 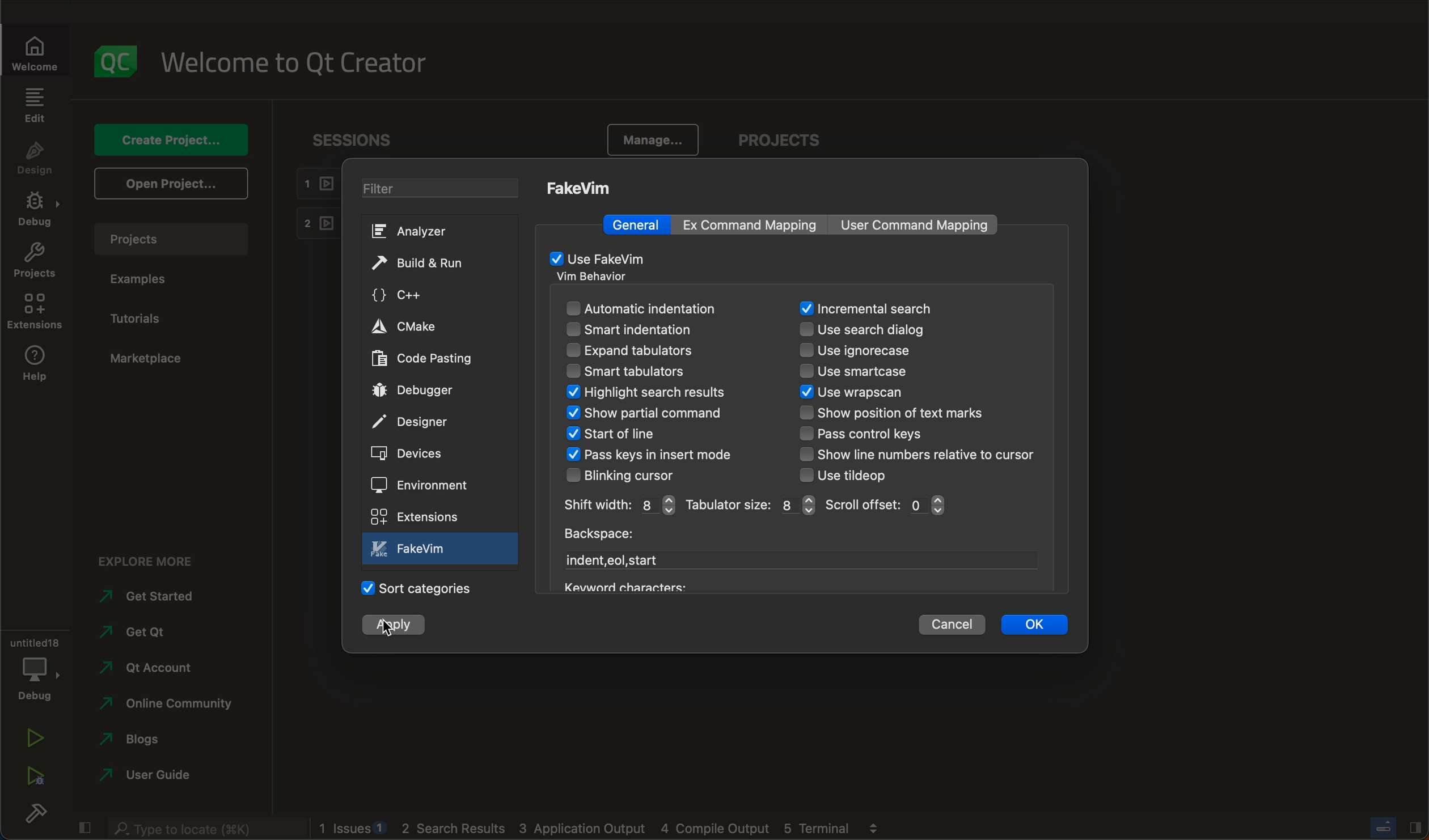 What do you see at coordinates (919, 454) in the screenshot?
I see `line number` at bounding box center [919, 454].